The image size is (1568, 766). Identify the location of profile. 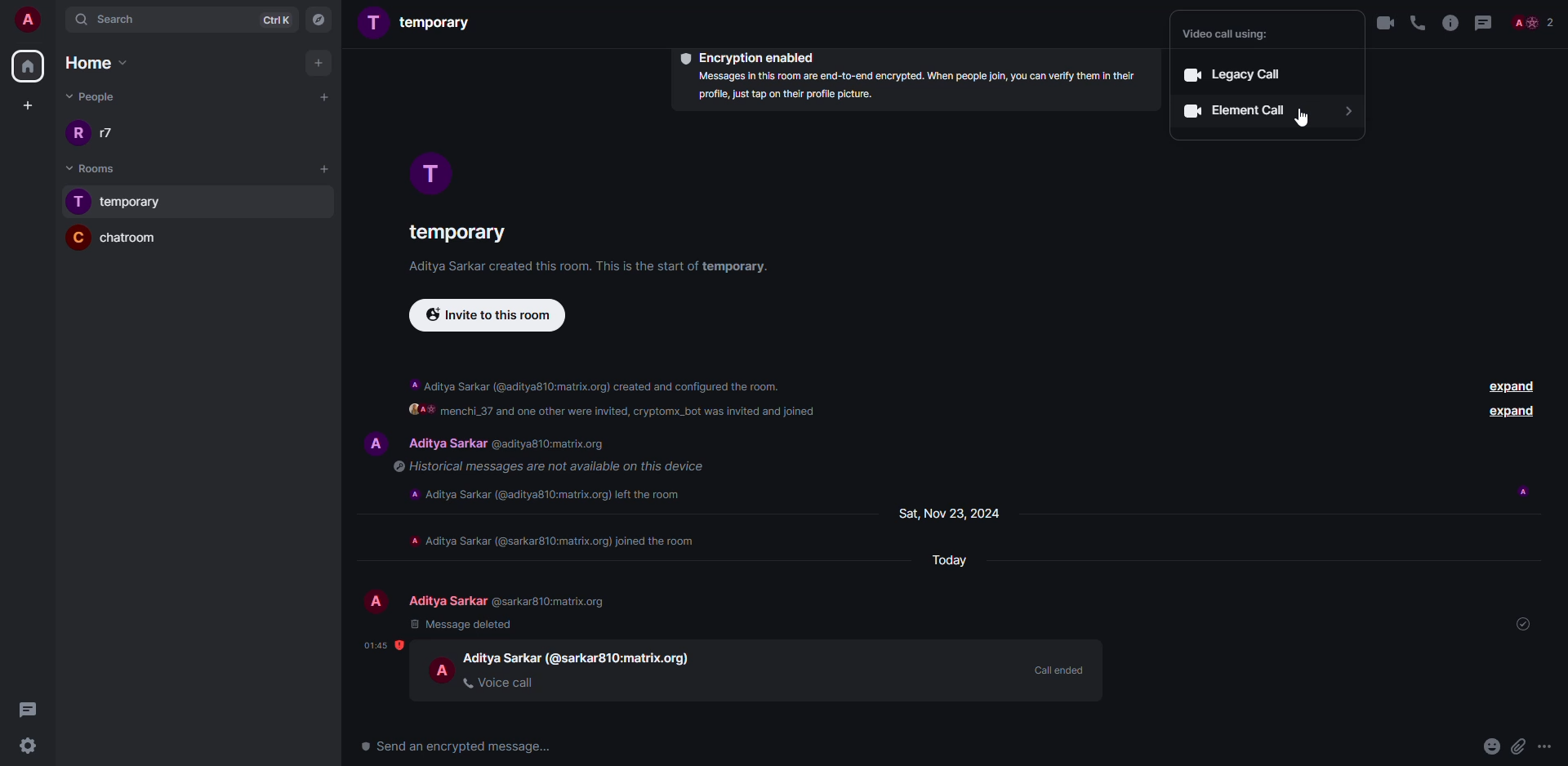
(440, 670).